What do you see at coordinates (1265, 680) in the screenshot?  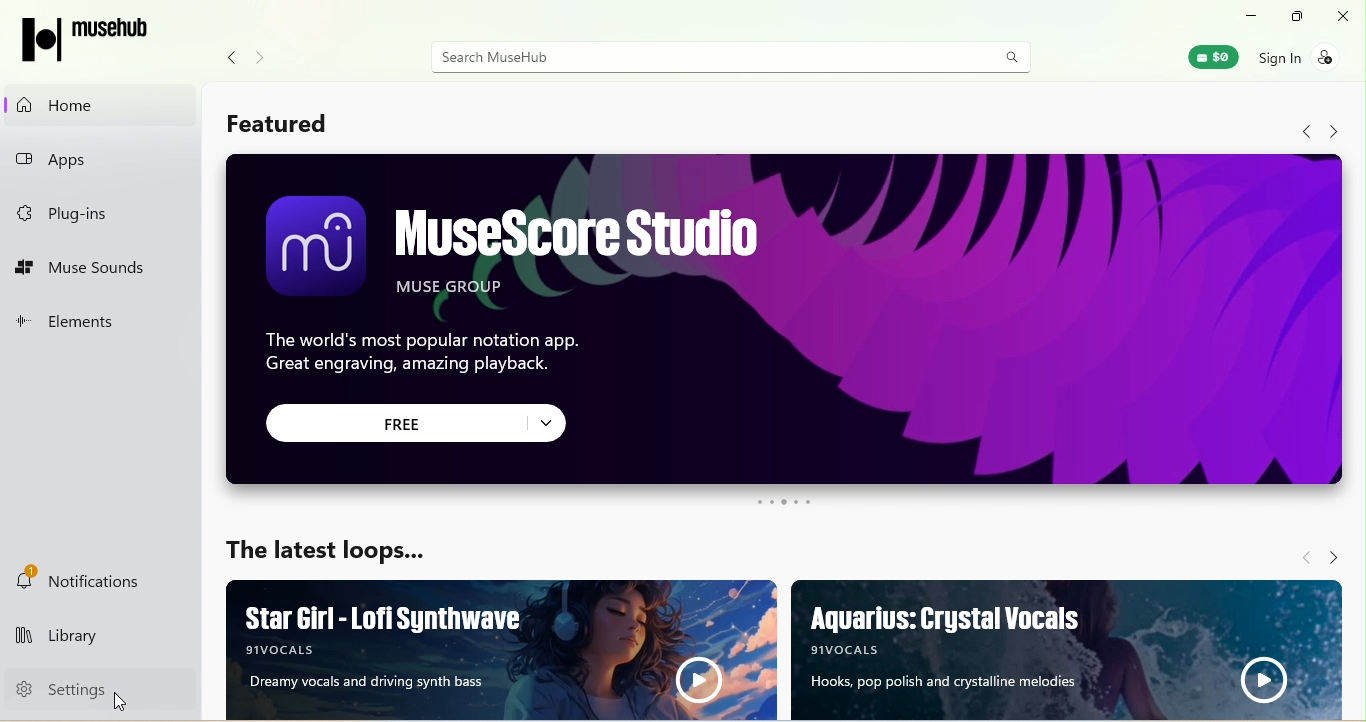 I see `Play` at bounding box center [1265, 680].